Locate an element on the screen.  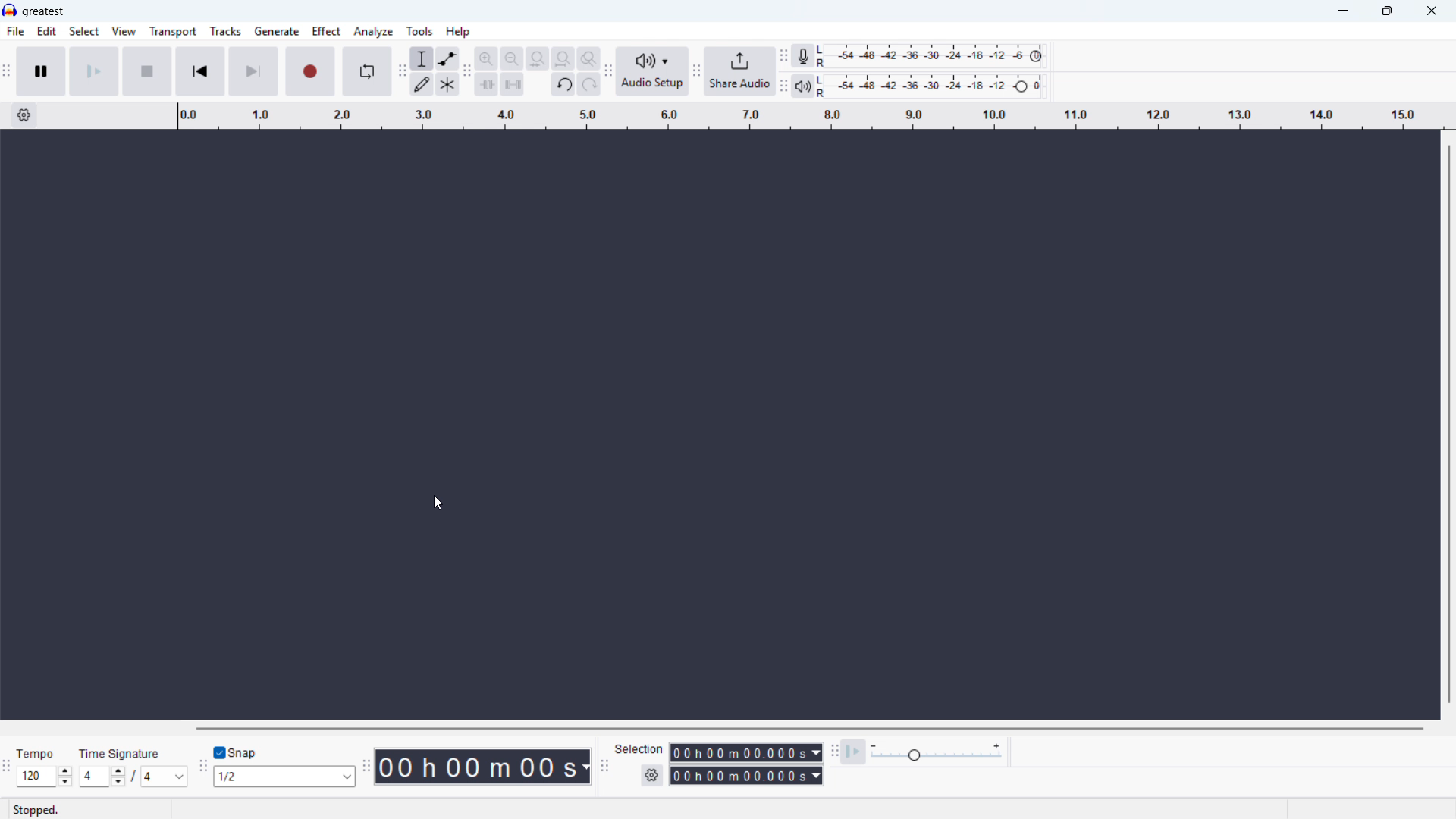
share audio is located at coordinates (741, 71).